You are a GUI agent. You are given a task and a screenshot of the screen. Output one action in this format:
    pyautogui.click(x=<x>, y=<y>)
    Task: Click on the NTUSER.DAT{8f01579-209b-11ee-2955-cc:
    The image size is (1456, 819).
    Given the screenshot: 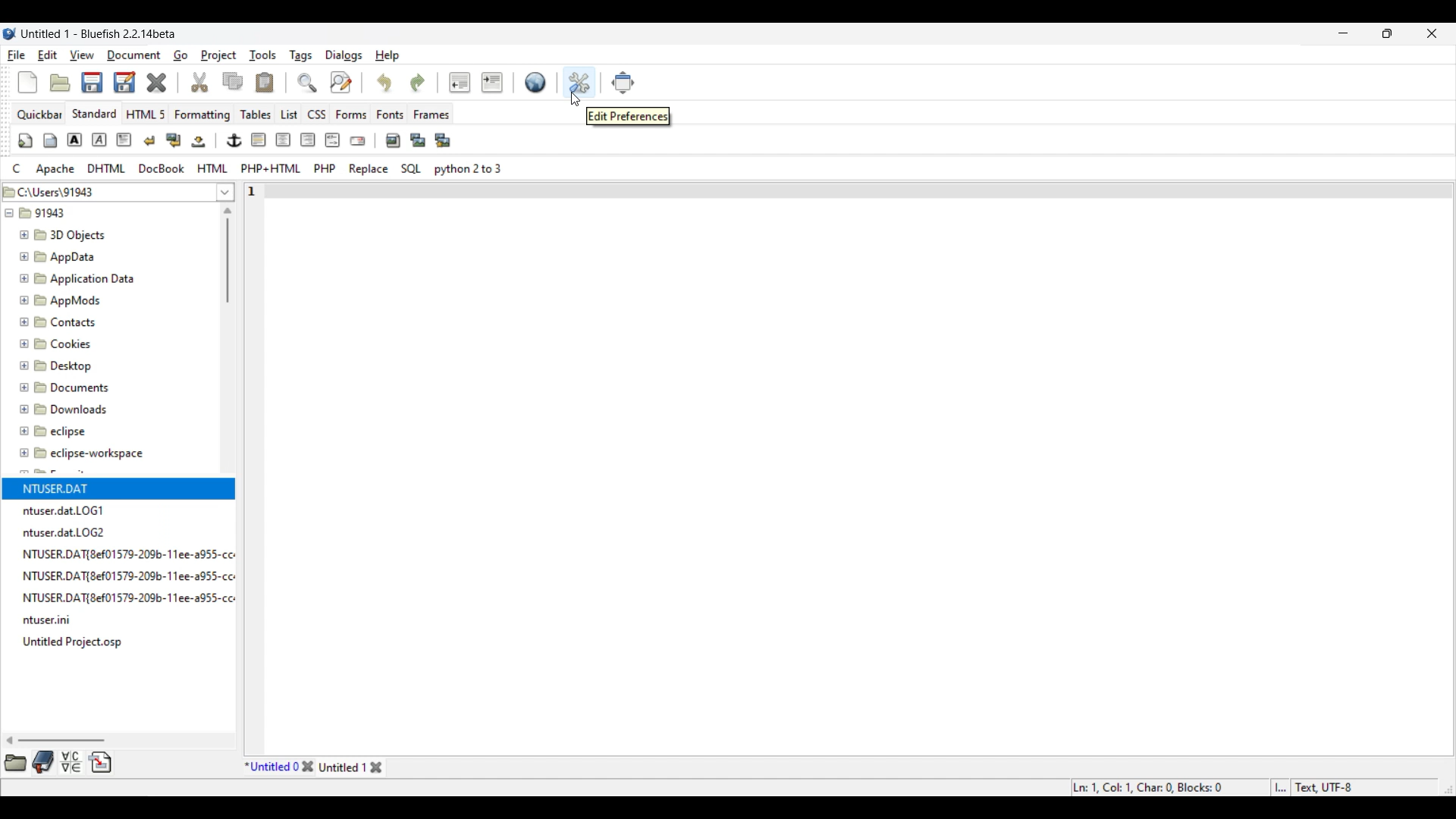 What is the action you would take?
    pyautogui.click(x=133, y=553)
    